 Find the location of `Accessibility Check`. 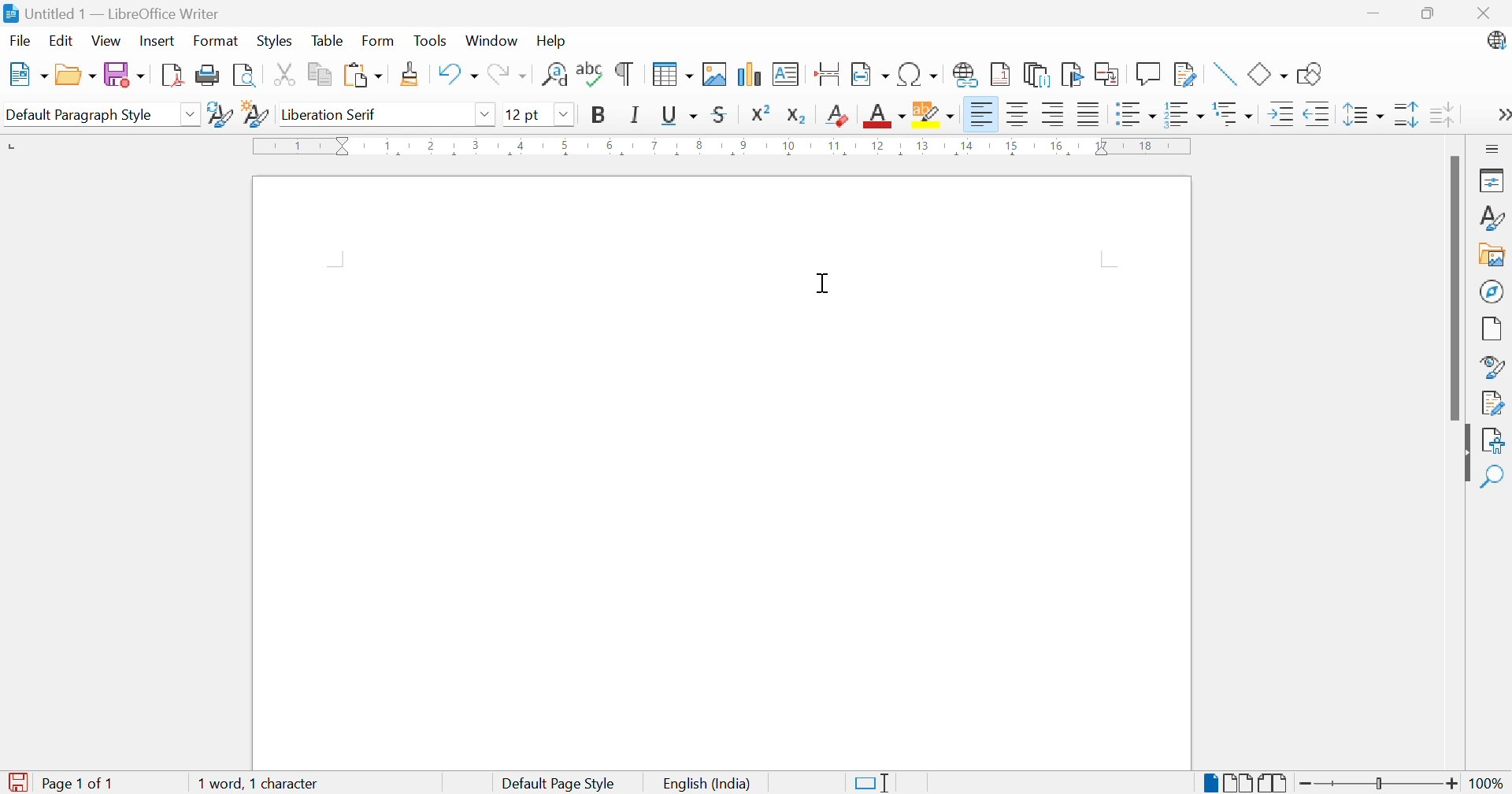

Accessibility Check is located at coordinates (1496, 440).